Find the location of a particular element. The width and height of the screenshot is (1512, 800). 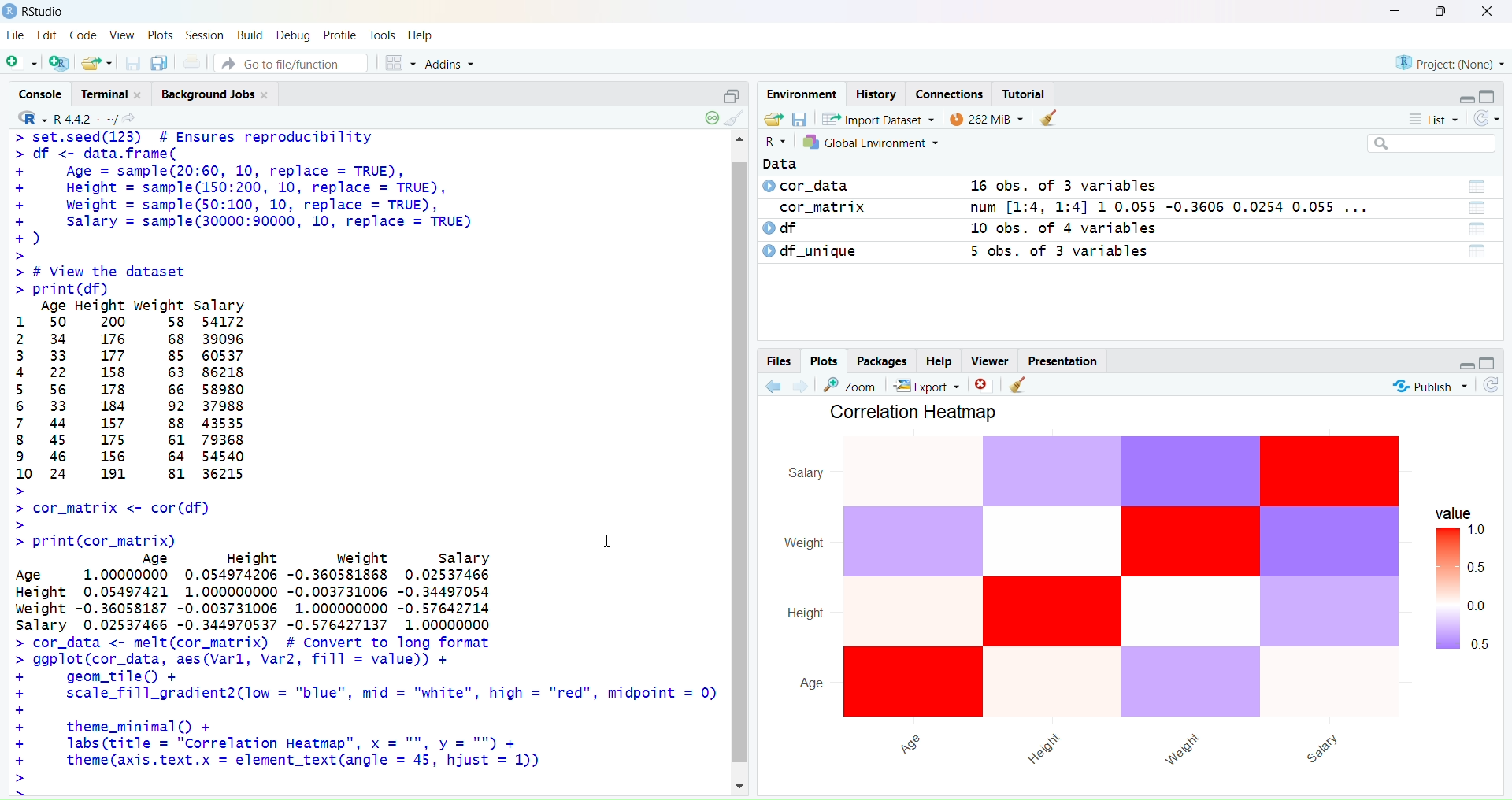

© df 10 obs. of 4 variables is located at coordinates (965, 229).